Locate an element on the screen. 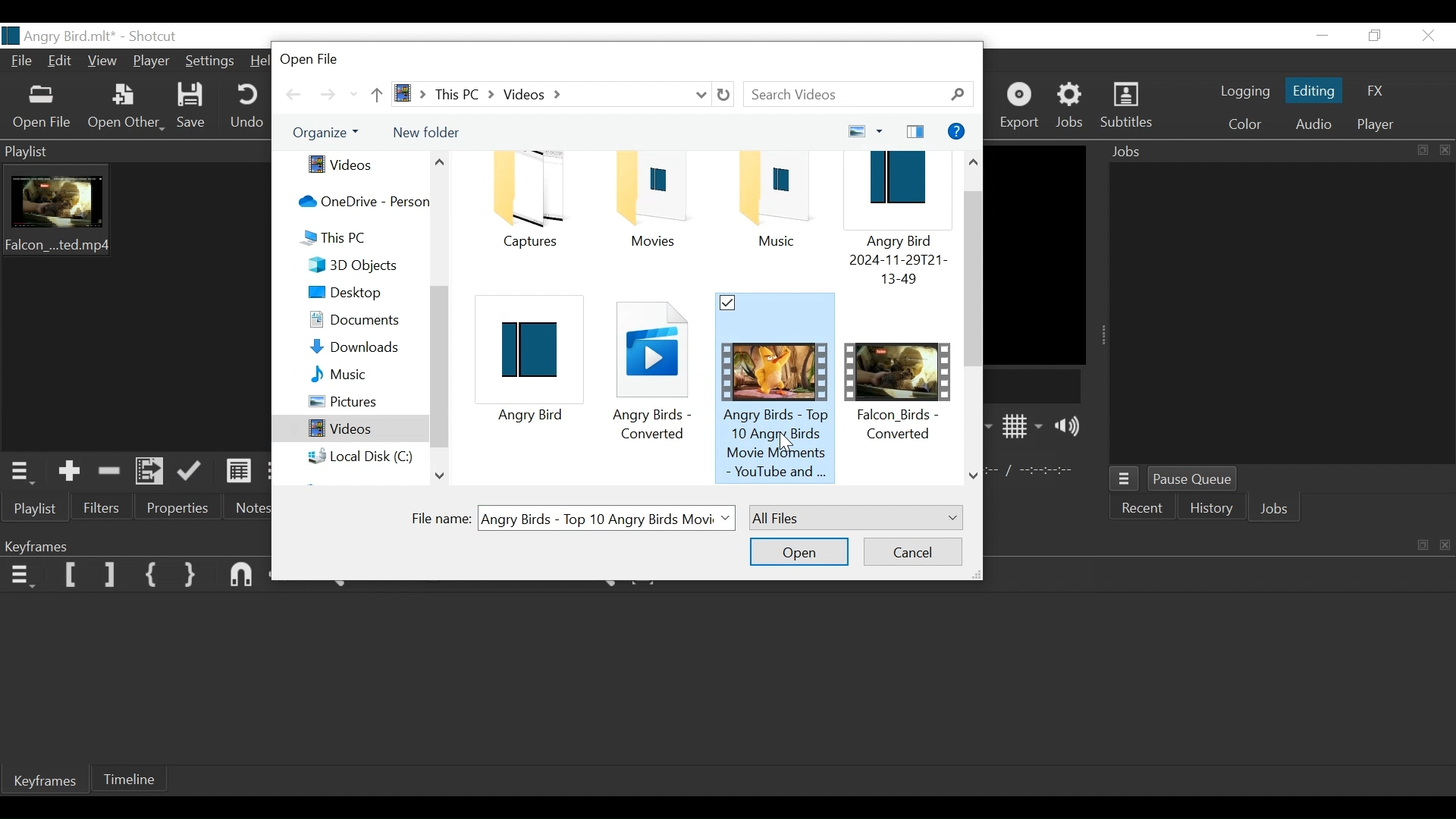 This screenshot has width=1456, height=819. Open File is located at coordinates (45, 110).